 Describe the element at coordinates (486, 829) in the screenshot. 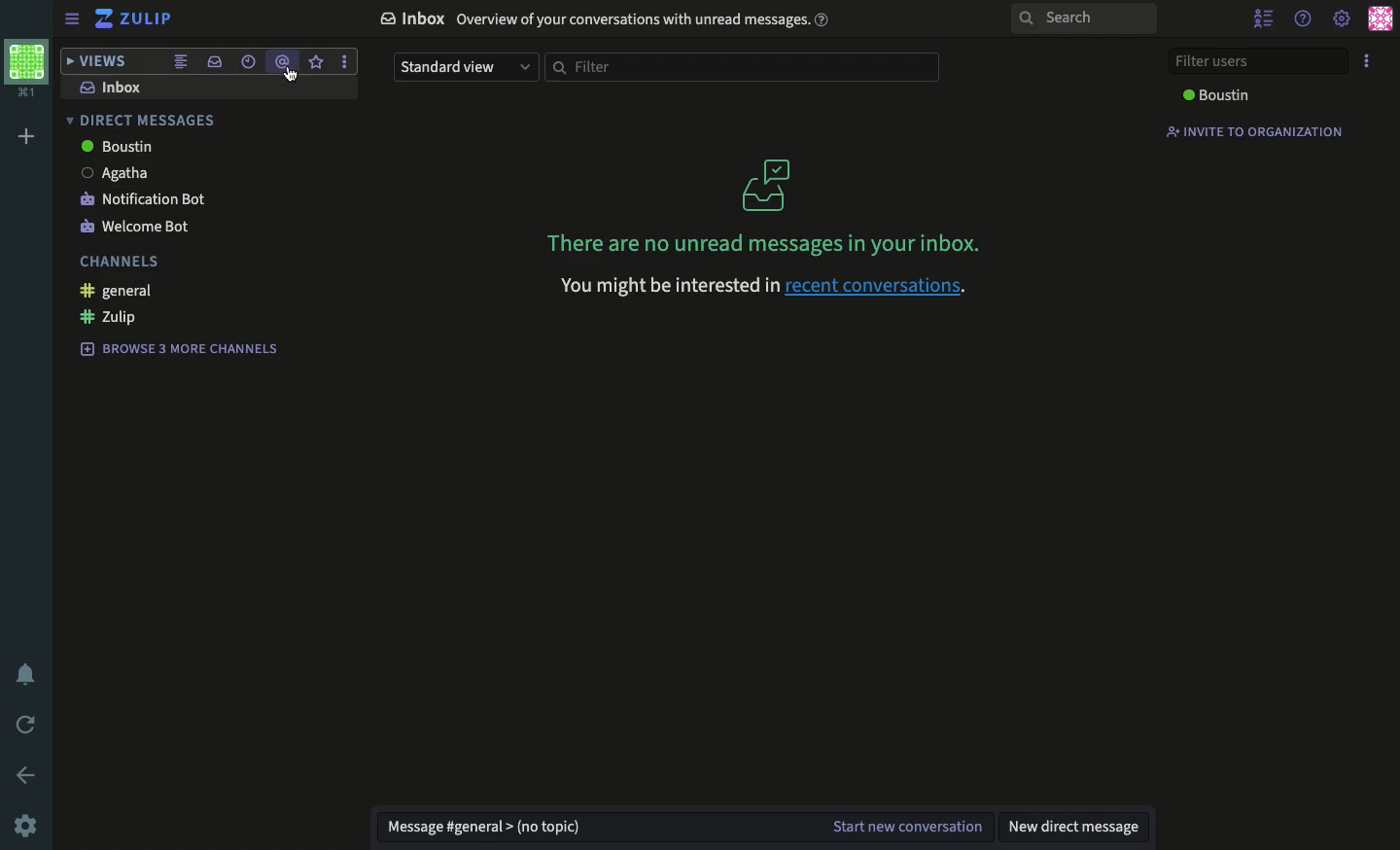

I see `message general` at that location.